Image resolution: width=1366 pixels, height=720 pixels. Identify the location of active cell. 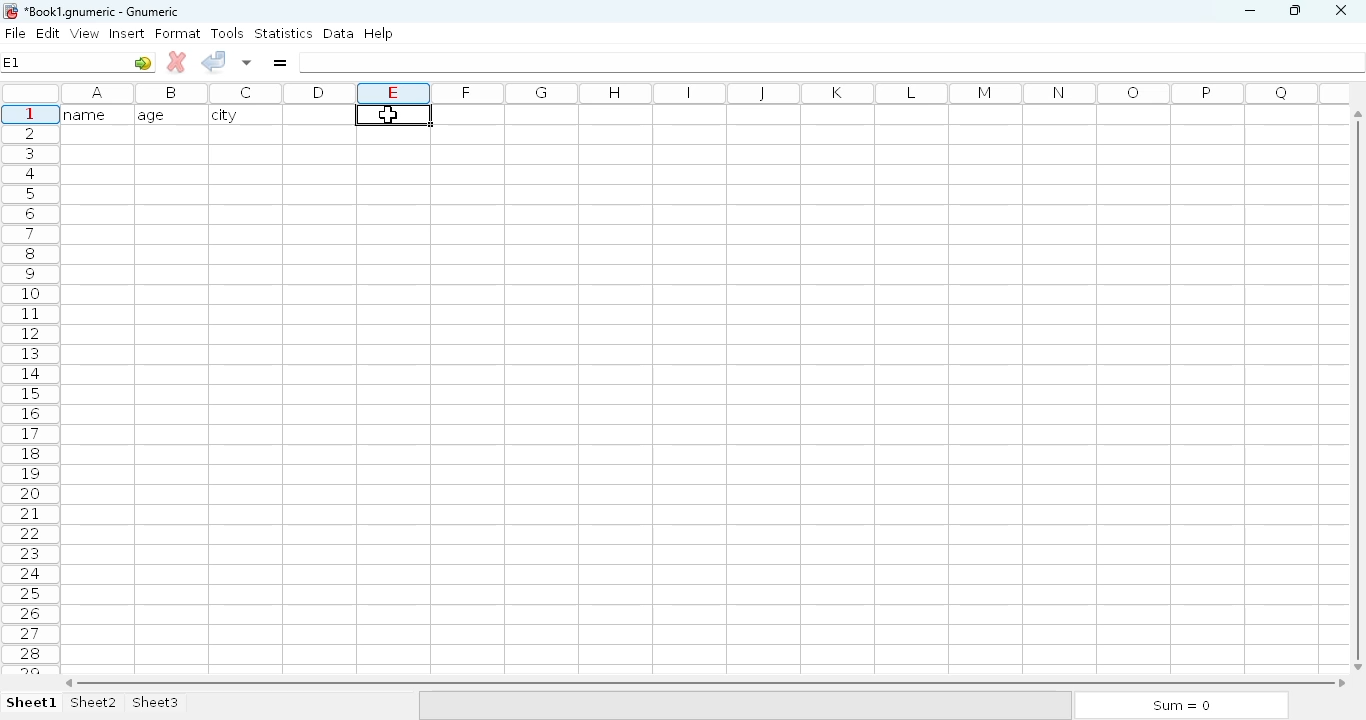
(393, 114).